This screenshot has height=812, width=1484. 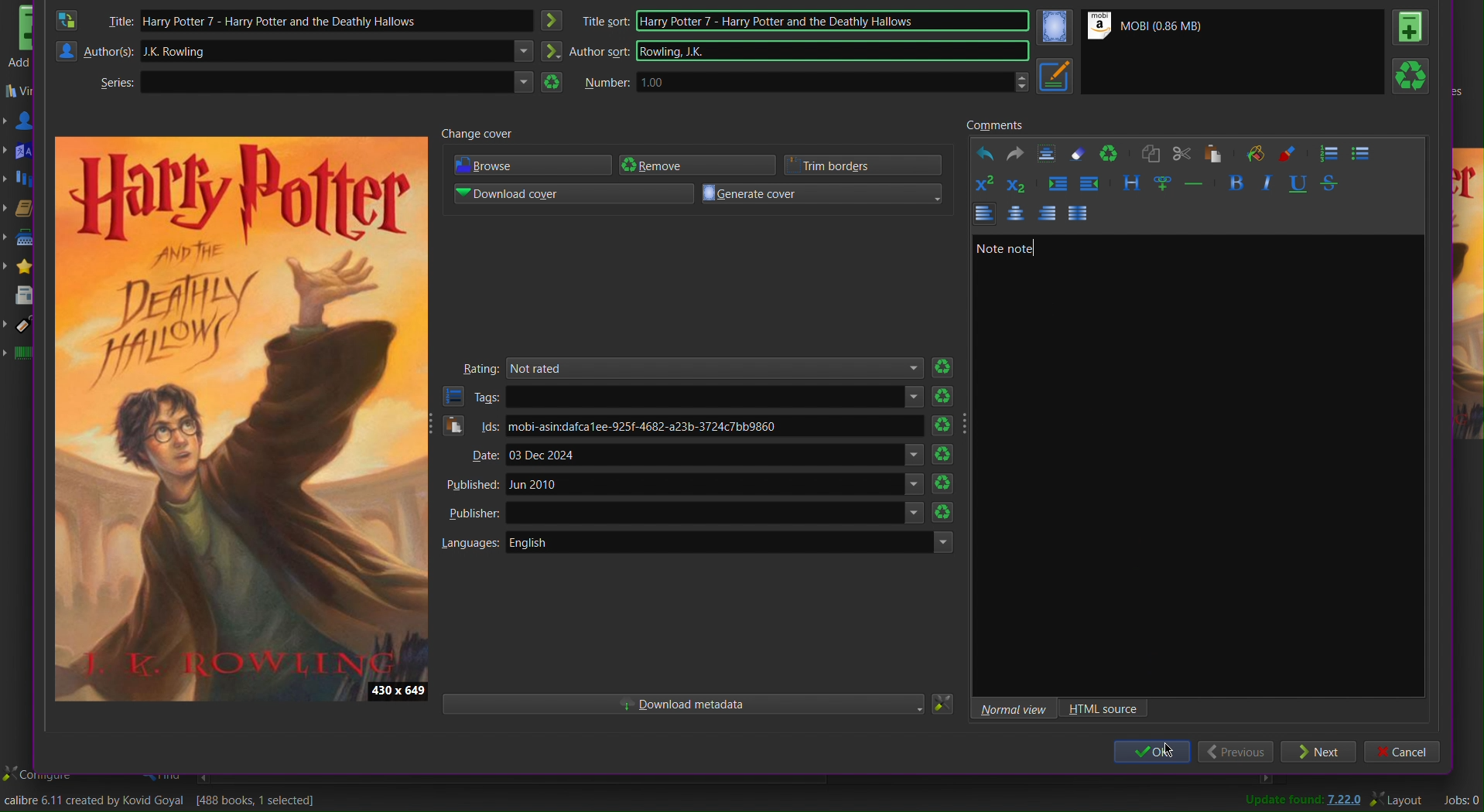 What do you see at coordinates (1184, 153) in the screenshot?
I see `Cut` at bounding box center [1184, 153].